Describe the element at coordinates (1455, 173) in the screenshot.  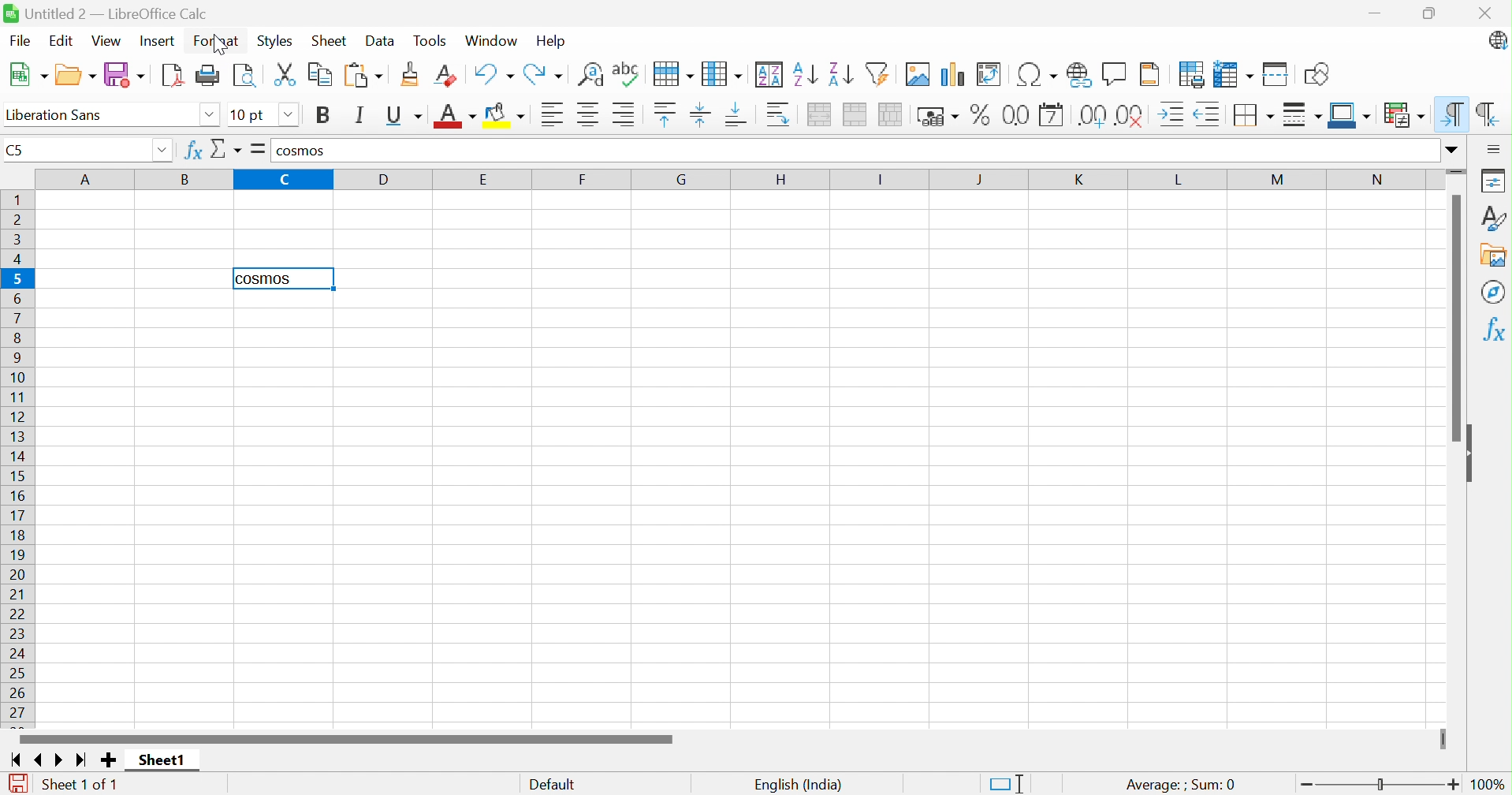
I see `Slider` at that location.